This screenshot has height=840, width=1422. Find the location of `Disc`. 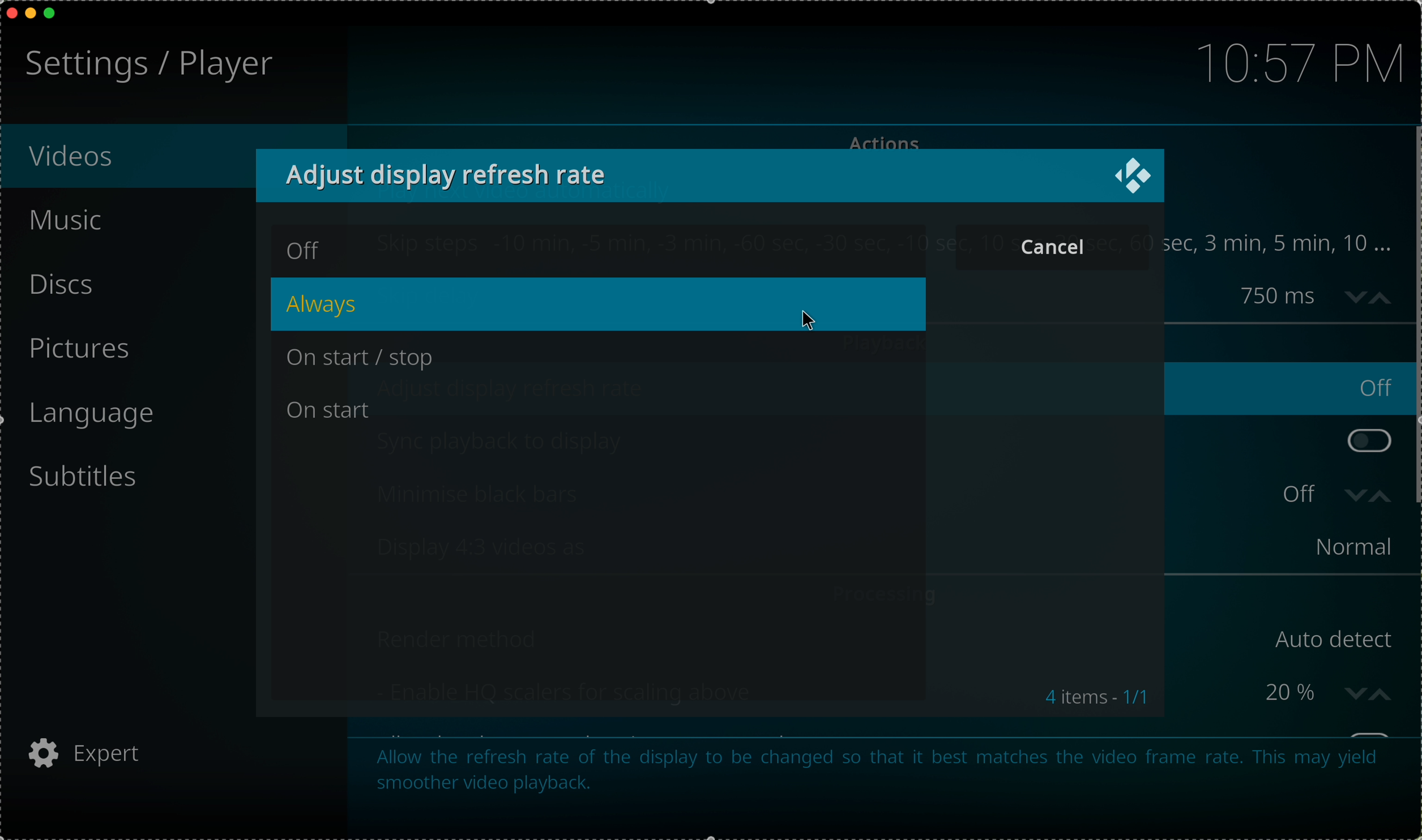

Disc is located at coordinates (60, 284).